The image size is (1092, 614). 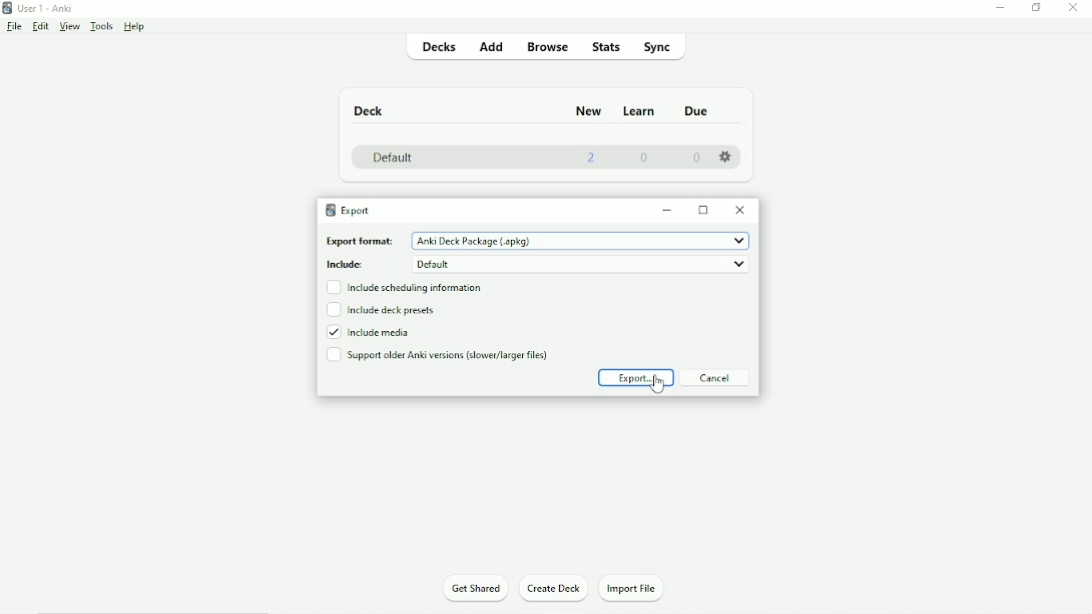 I want to click on Sync, so click(x=657, y=46).